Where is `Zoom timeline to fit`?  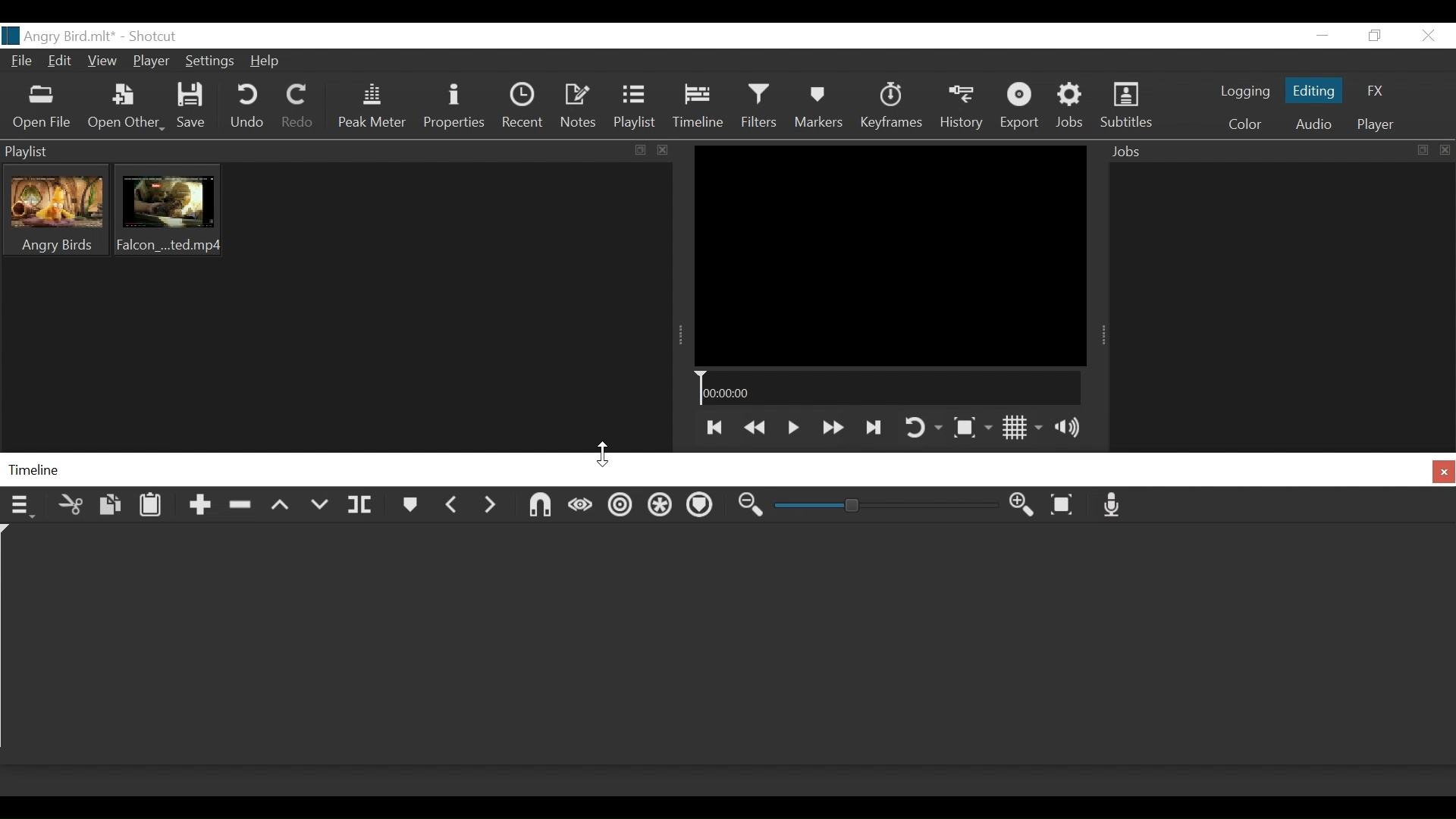 Zoom timeline to fit is located at coordinates (1067, 506).